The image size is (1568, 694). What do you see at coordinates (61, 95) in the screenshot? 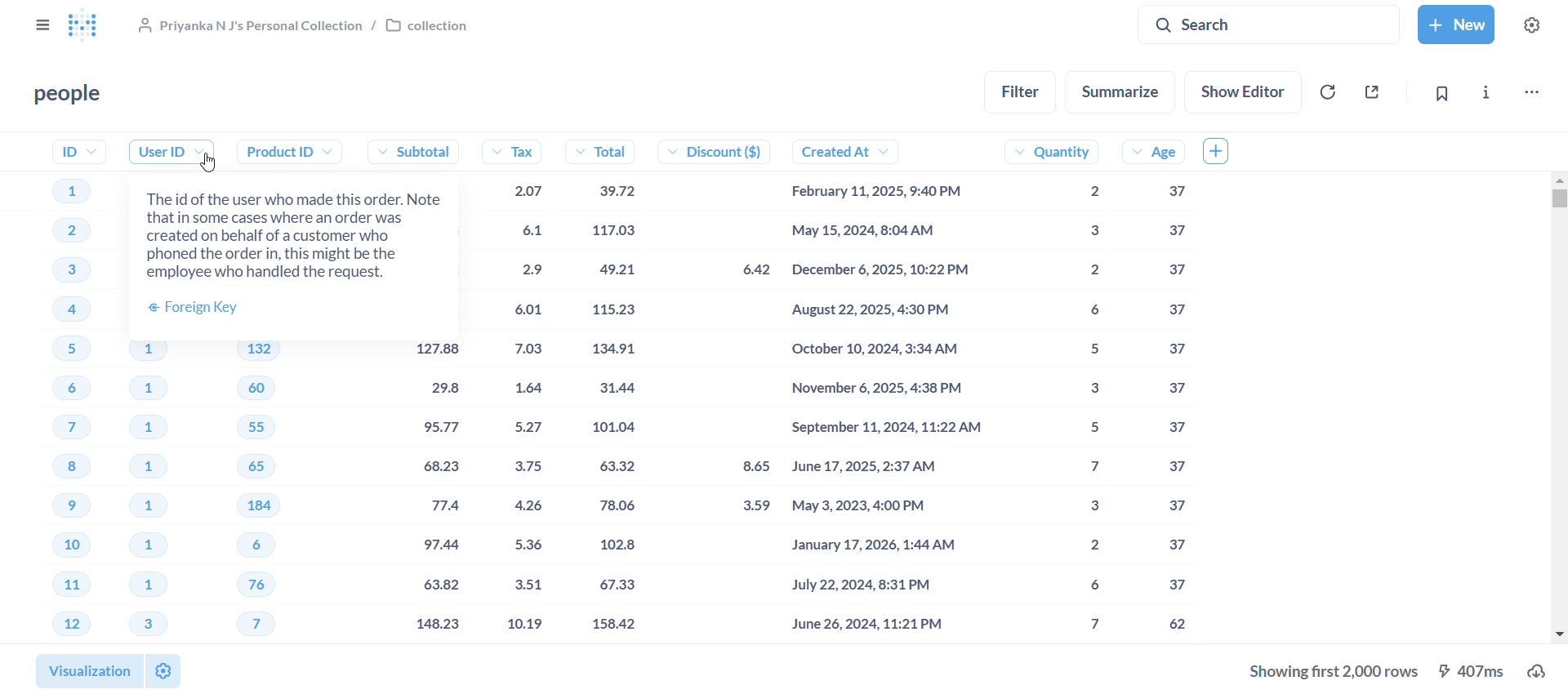
I see `people` at bounding box center [61, 95].